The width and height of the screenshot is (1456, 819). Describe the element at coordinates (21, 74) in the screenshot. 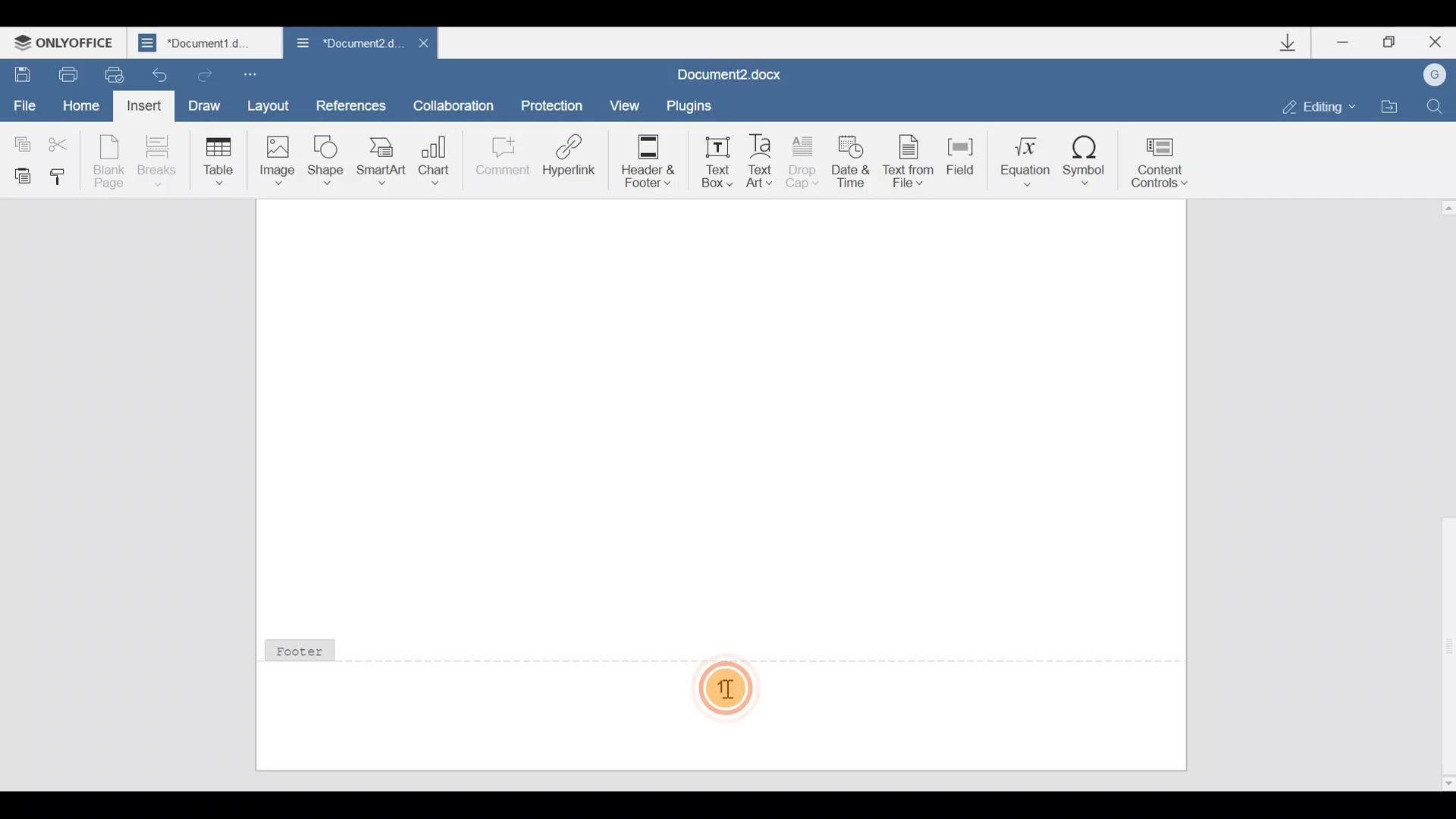

I see `Save` at that location.